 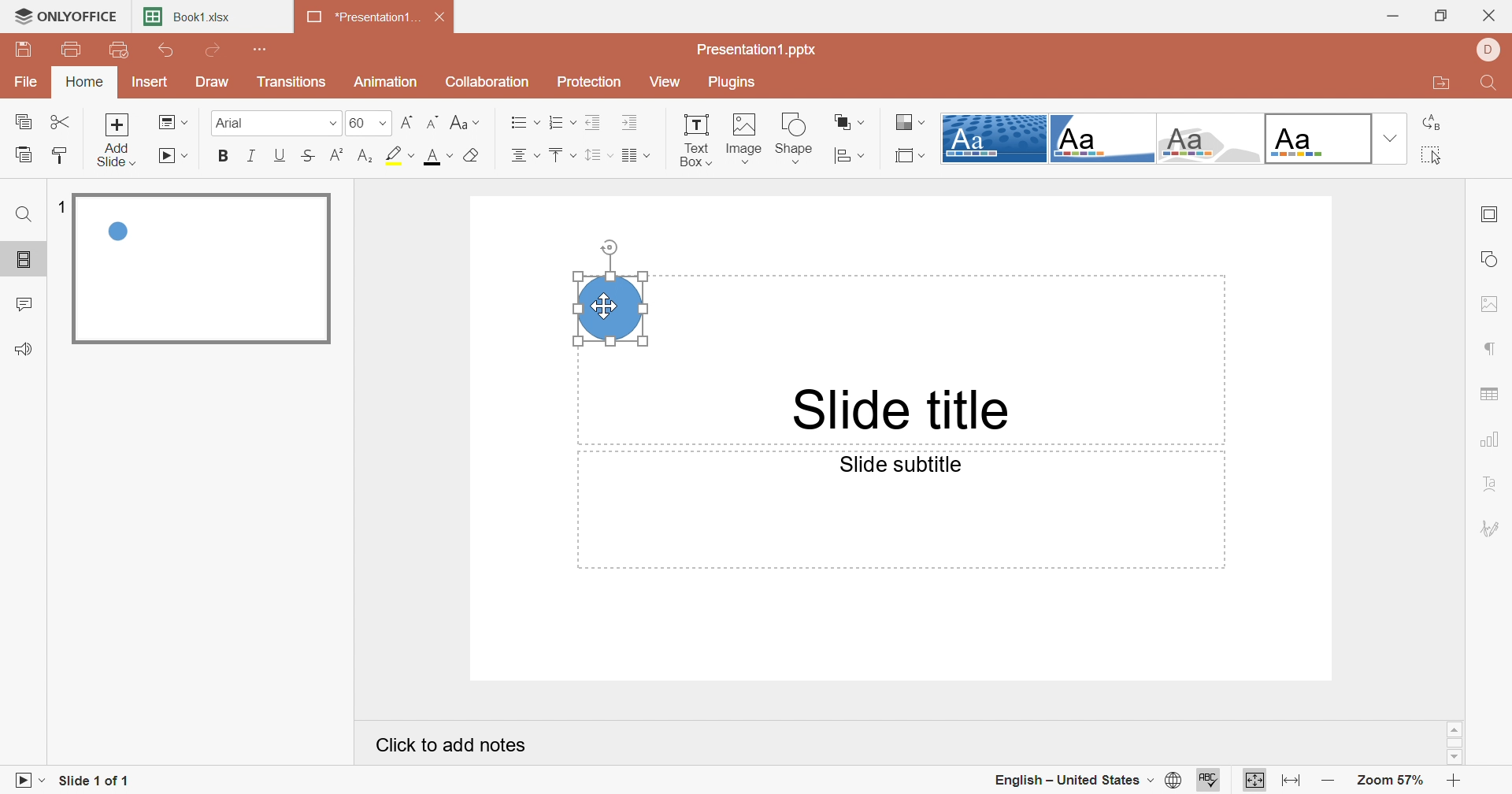 I want to click on Clear style, so click(x=473, y=157).